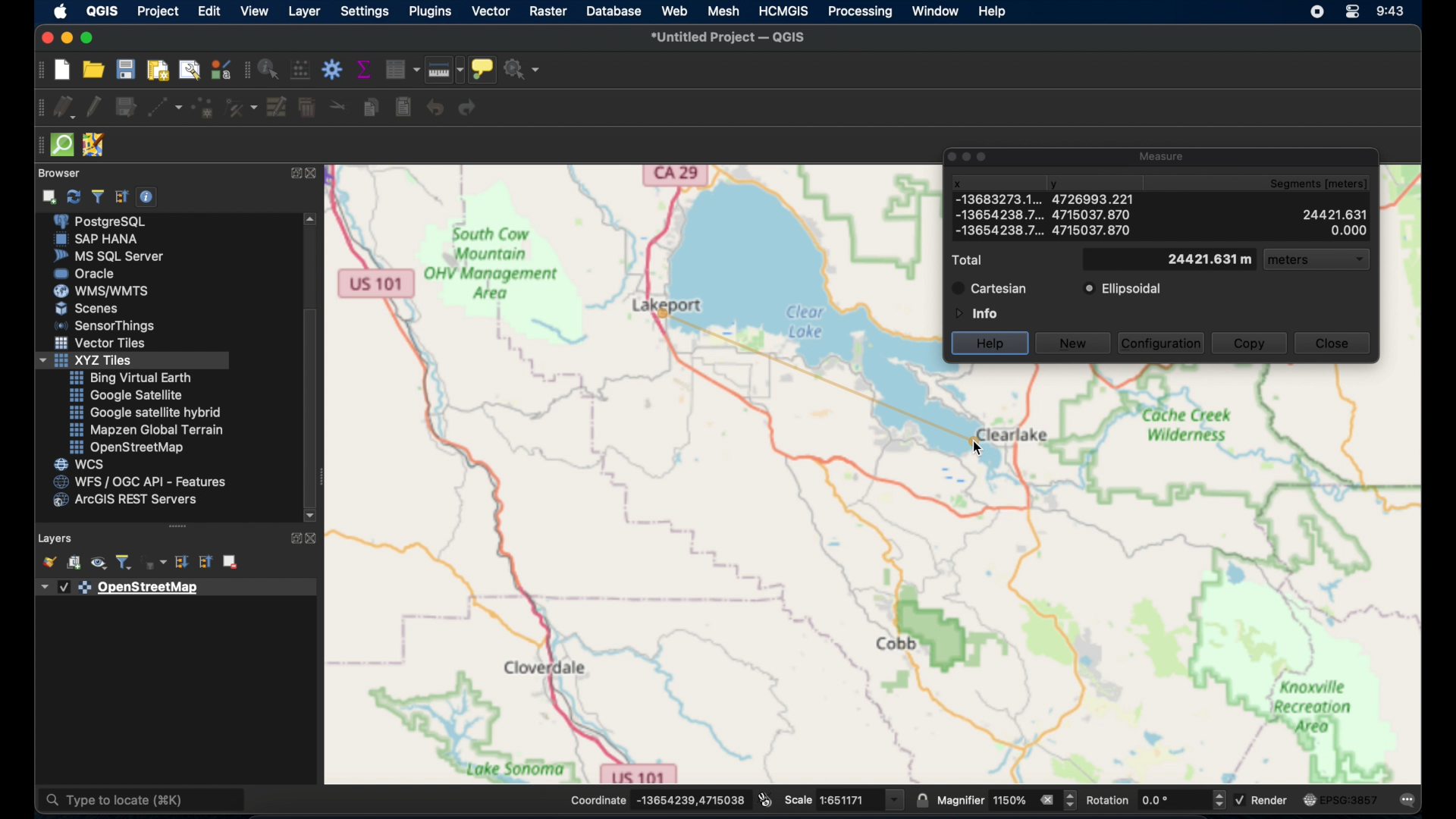 The height and width of the screenshot is (819, 1456). What do you see at coordinates (230, 560) in the screenshot?
I see `remove layer` at bounding box center [230, 560].